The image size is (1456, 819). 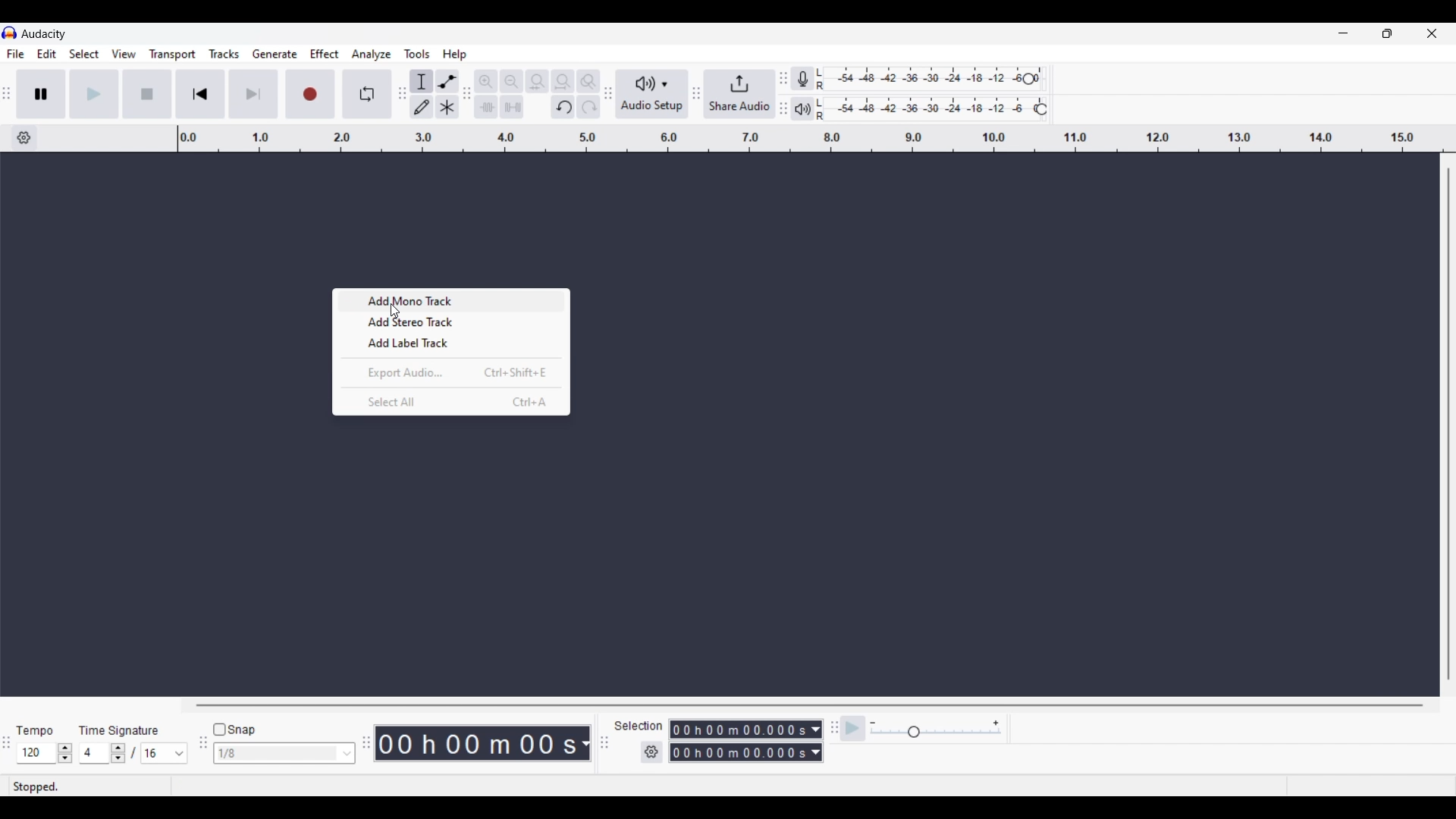 I want to click on Selected time signature, so click(x=96, y=754).